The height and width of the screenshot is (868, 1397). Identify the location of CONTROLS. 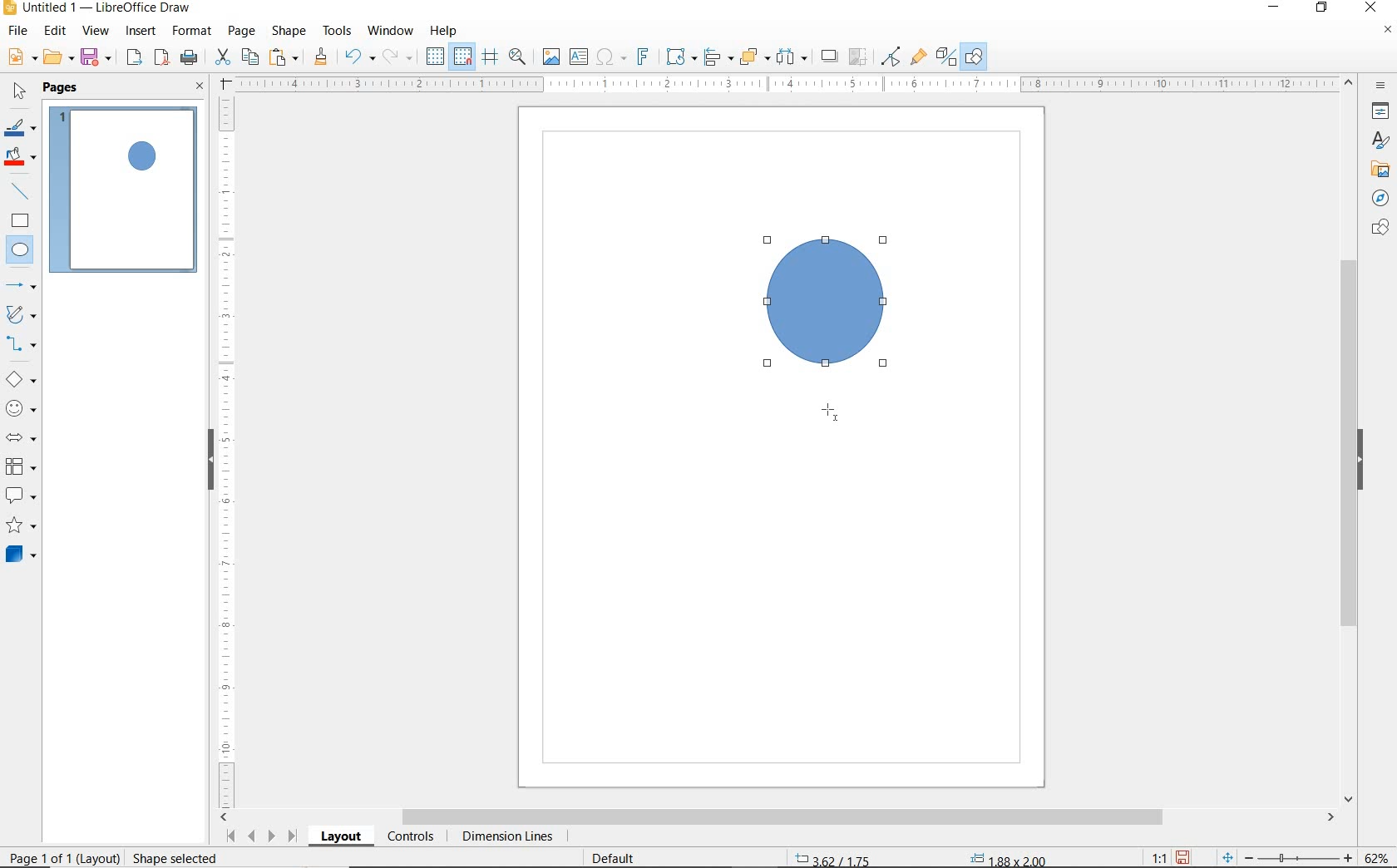
(412, 838).